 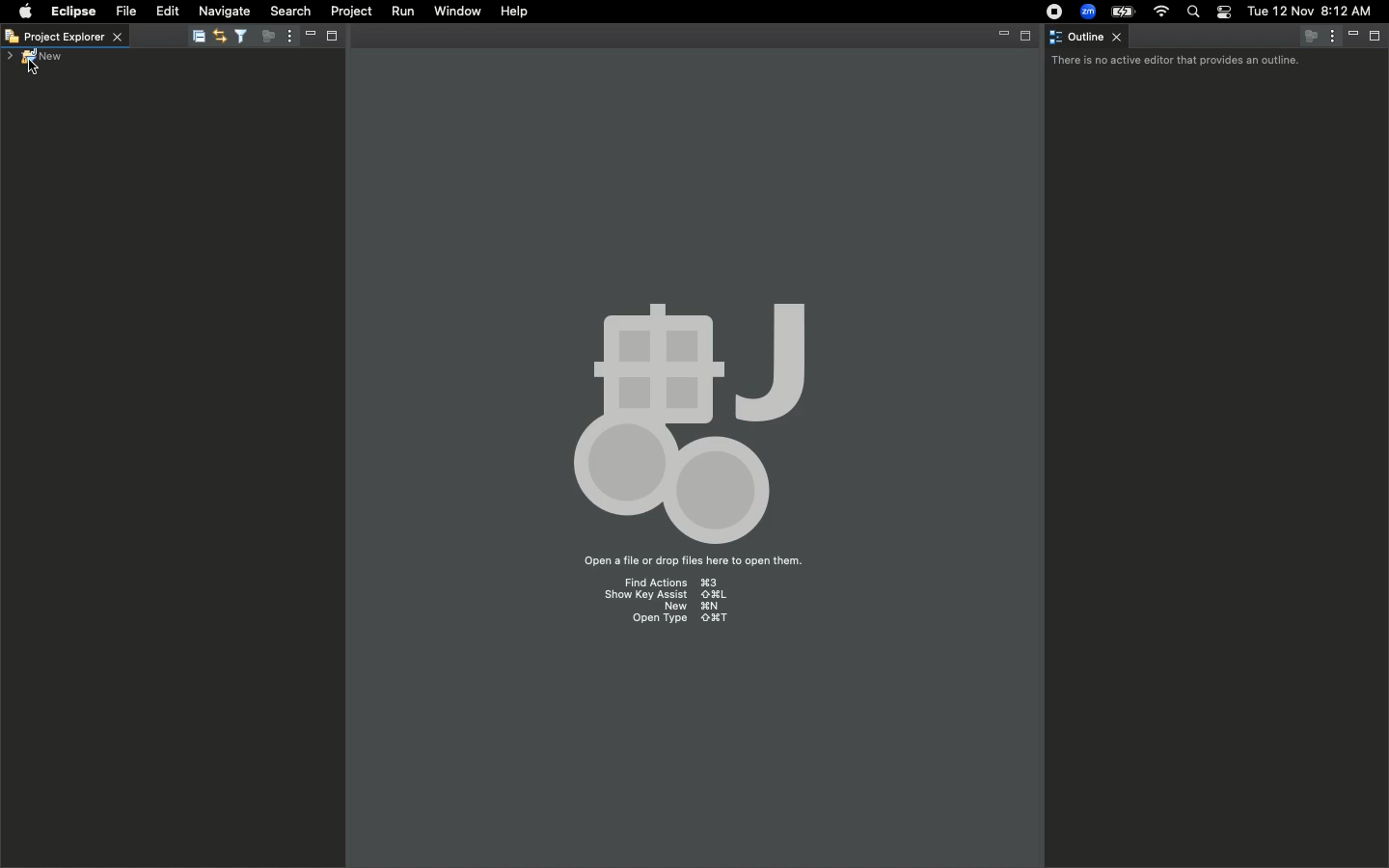 I want to click on Focus , so click(x=263, y=37).